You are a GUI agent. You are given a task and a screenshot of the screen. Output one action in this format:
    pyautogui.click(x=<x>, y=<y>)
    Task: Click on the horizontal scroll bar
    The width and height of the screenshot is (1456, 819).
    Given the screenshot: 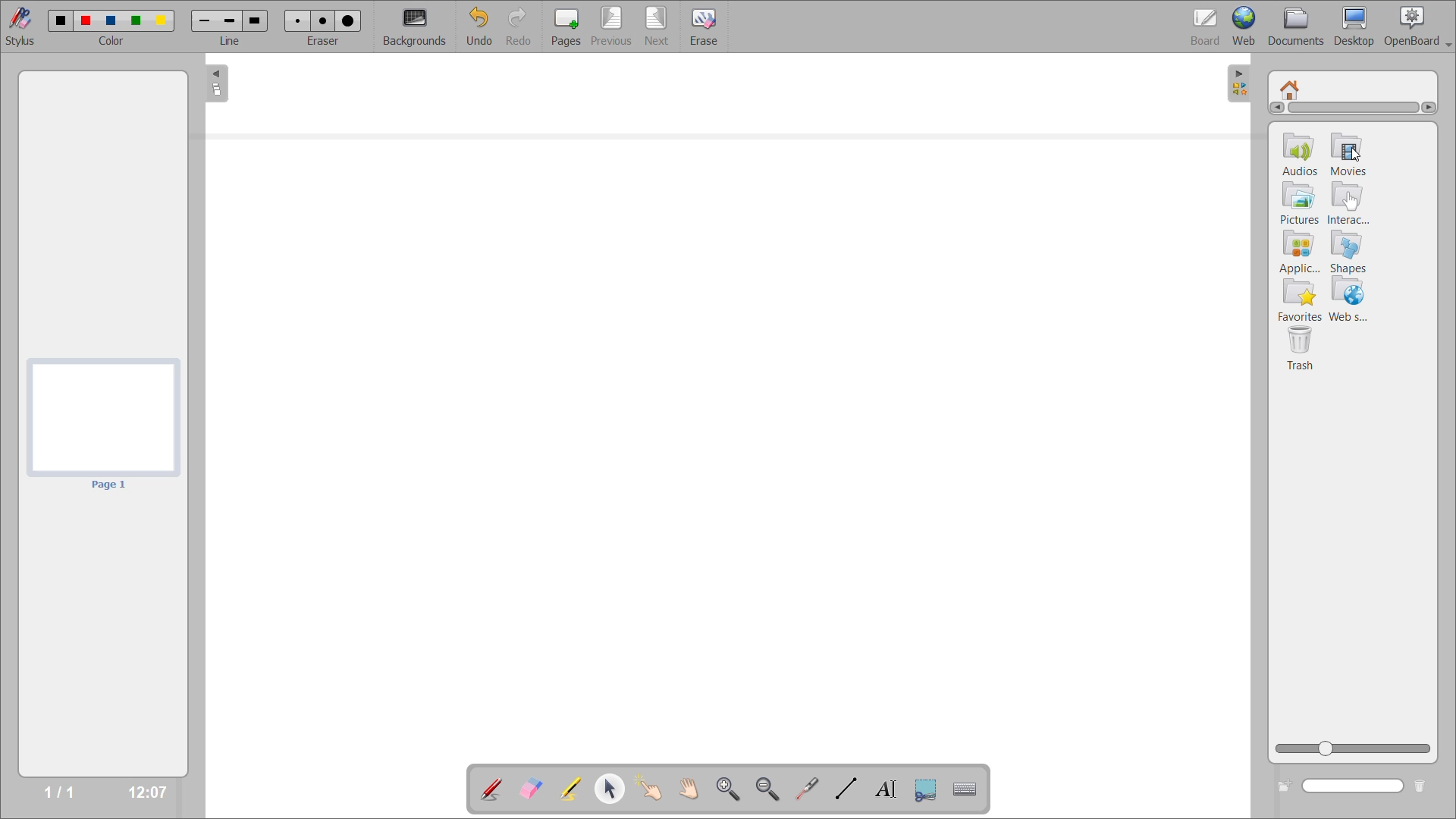 What is the action you would take?
    pyautogui.click(x=1354, y=111)
    